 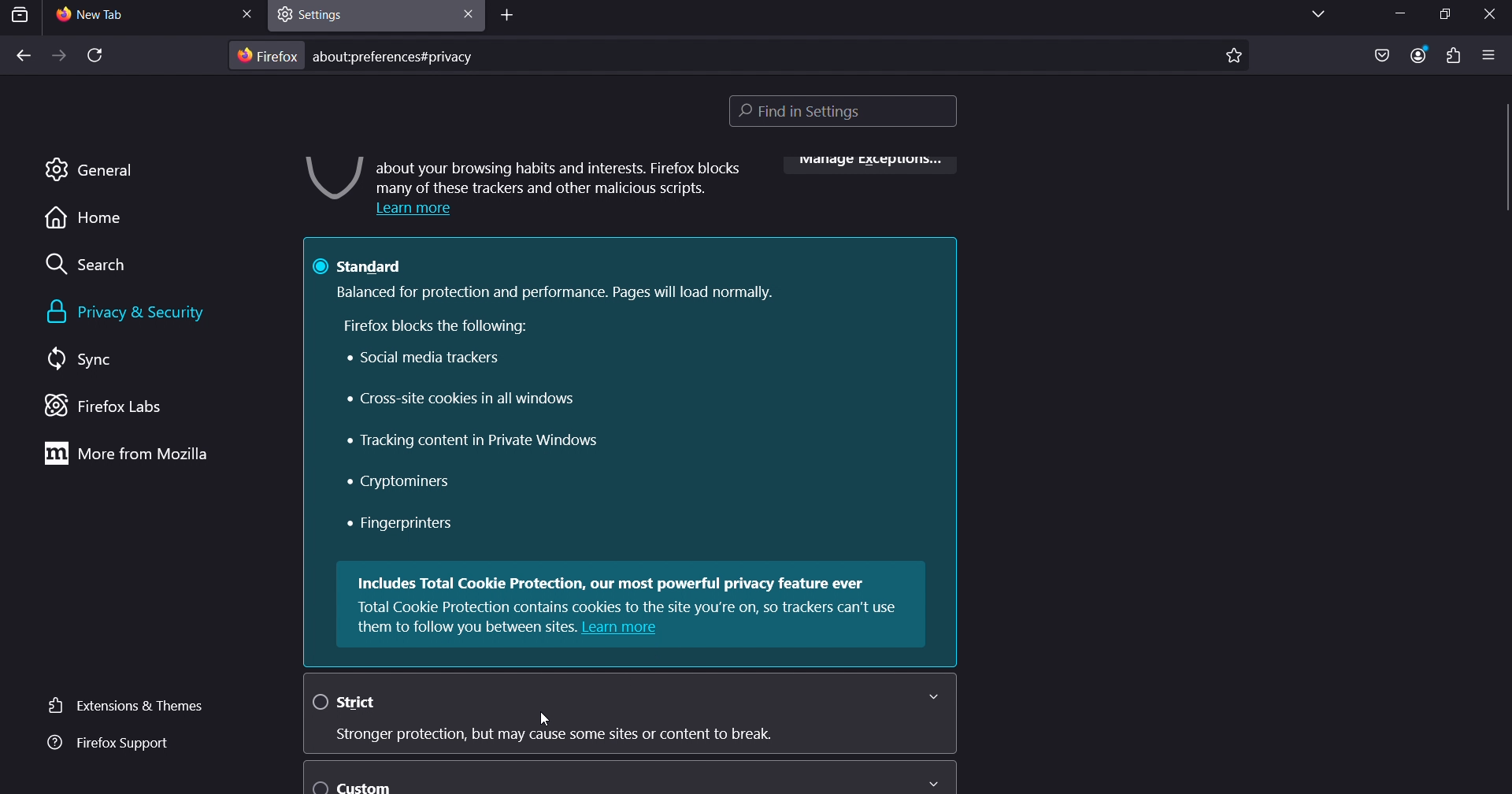 I want to click on reload page, so click(x=94, y=58).